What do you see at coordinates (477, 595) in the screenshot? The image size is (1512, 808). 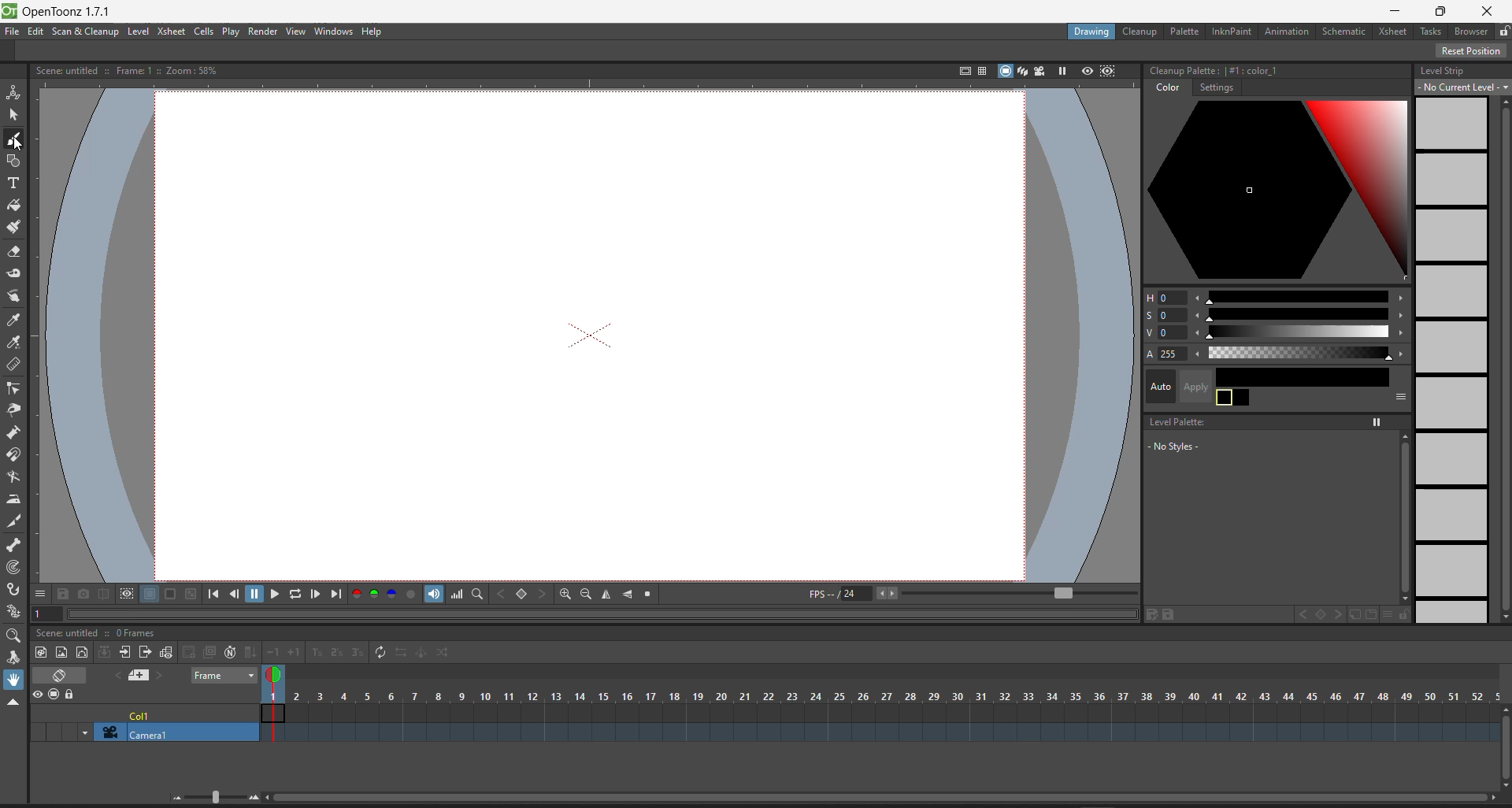 I see `locator` at bounding box center [477, 595].